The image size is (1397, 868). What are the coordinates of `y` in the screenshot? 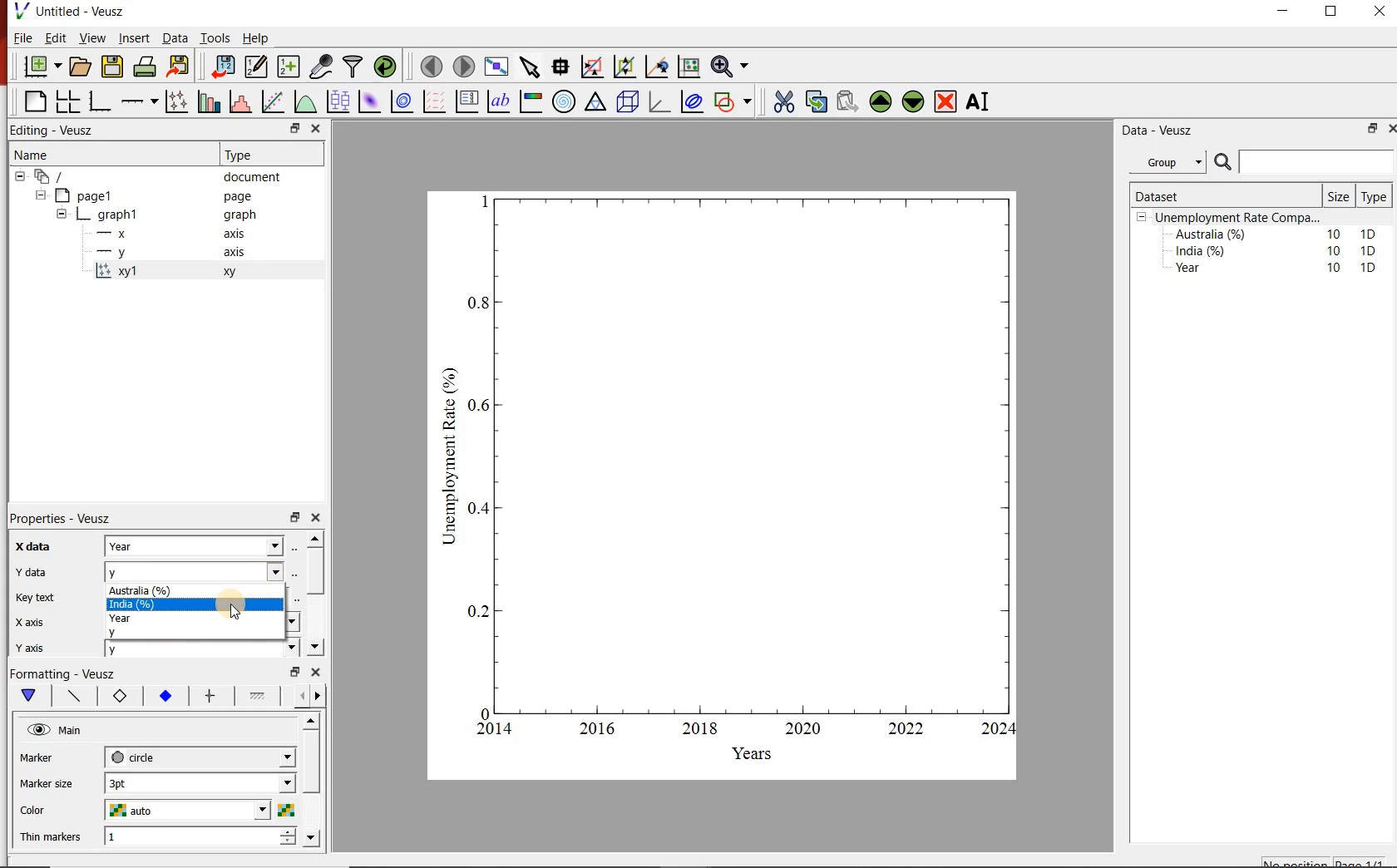 It's located at (200, 570).